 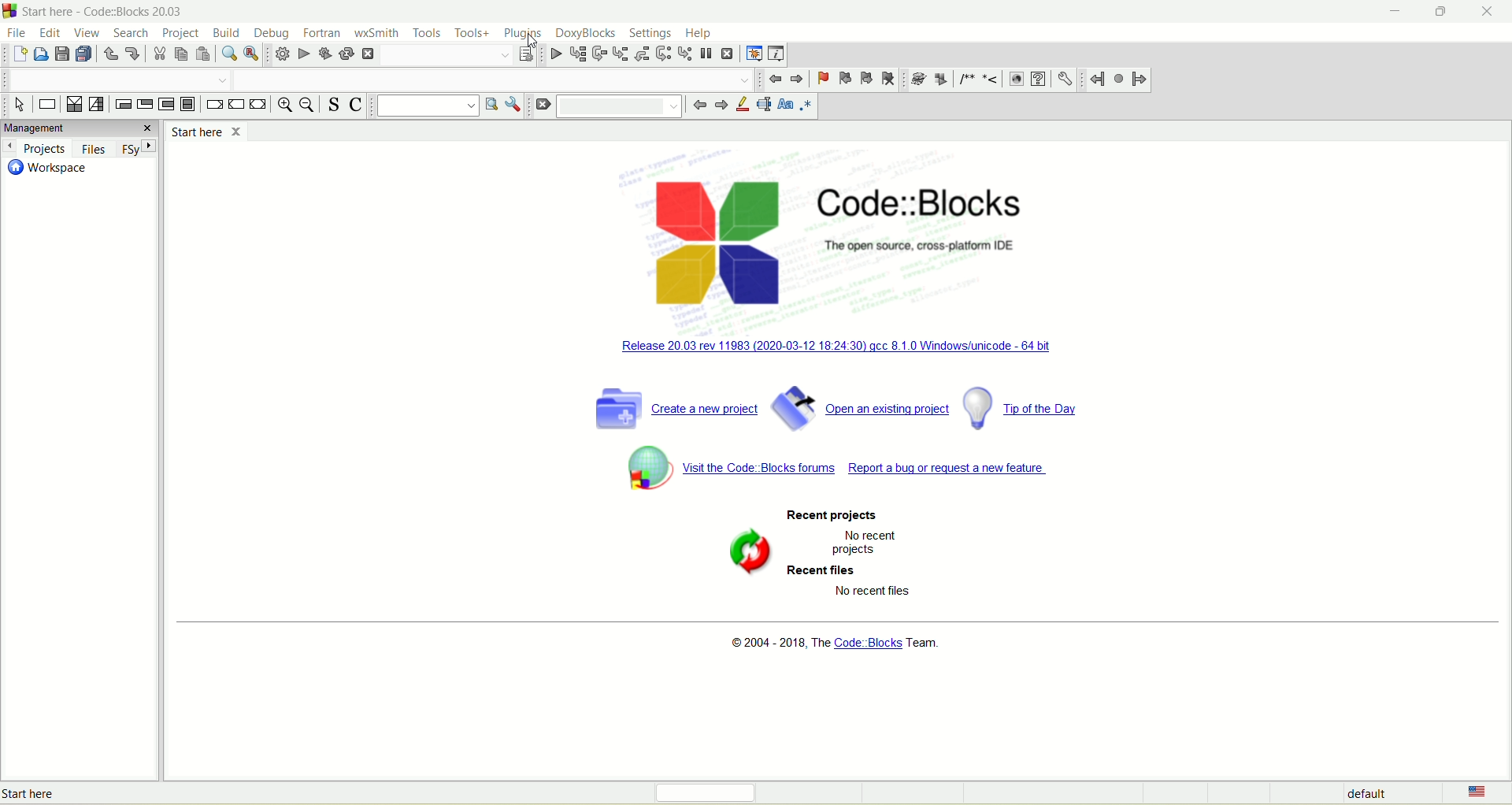 What do you see at coordinates (991, 80) in the screenshot?
I see `Insert line` at bounding box center [991, 80].